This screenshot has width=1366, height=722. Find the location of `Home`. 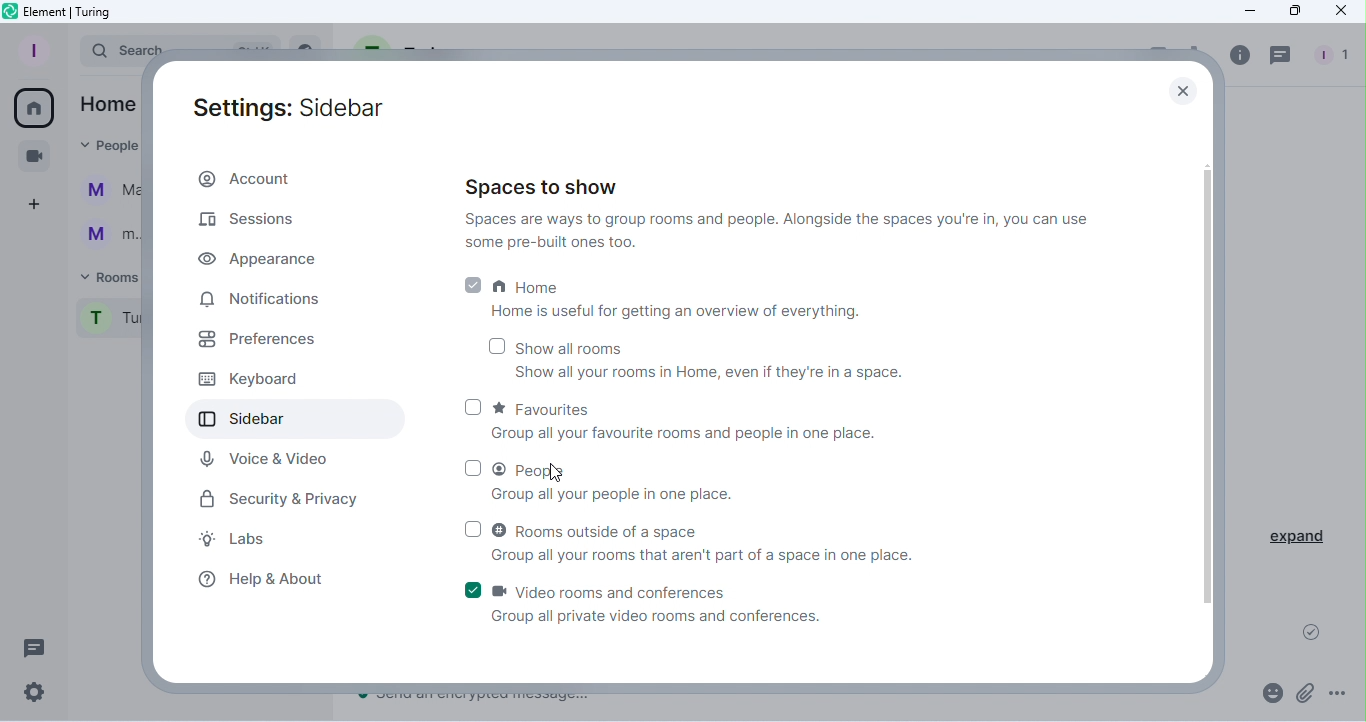

Home is located at coordinates (31, 107).